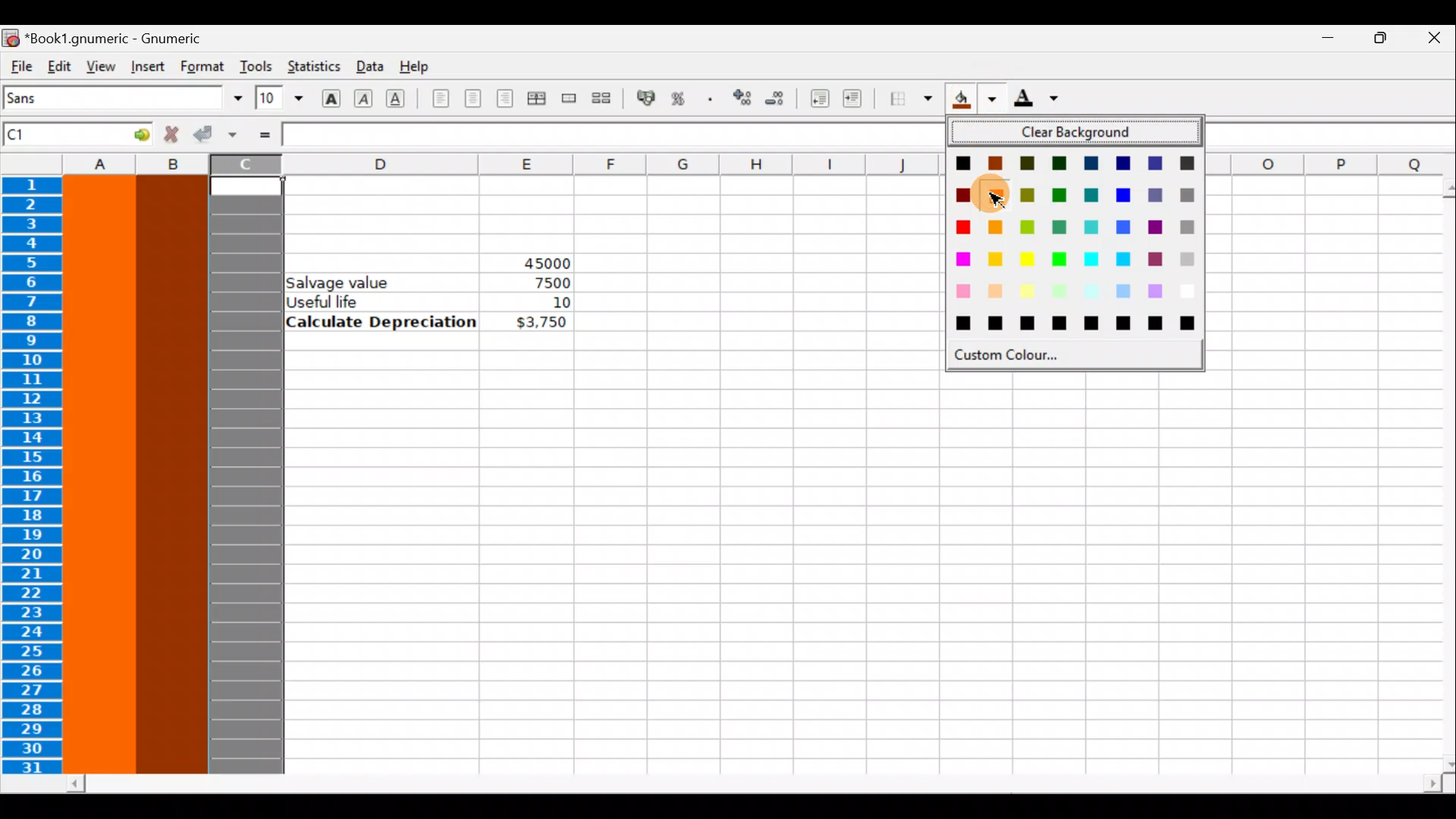  Describe the element at coordinates (312, 67) in the screenshot. I see `Statistics` at that location.